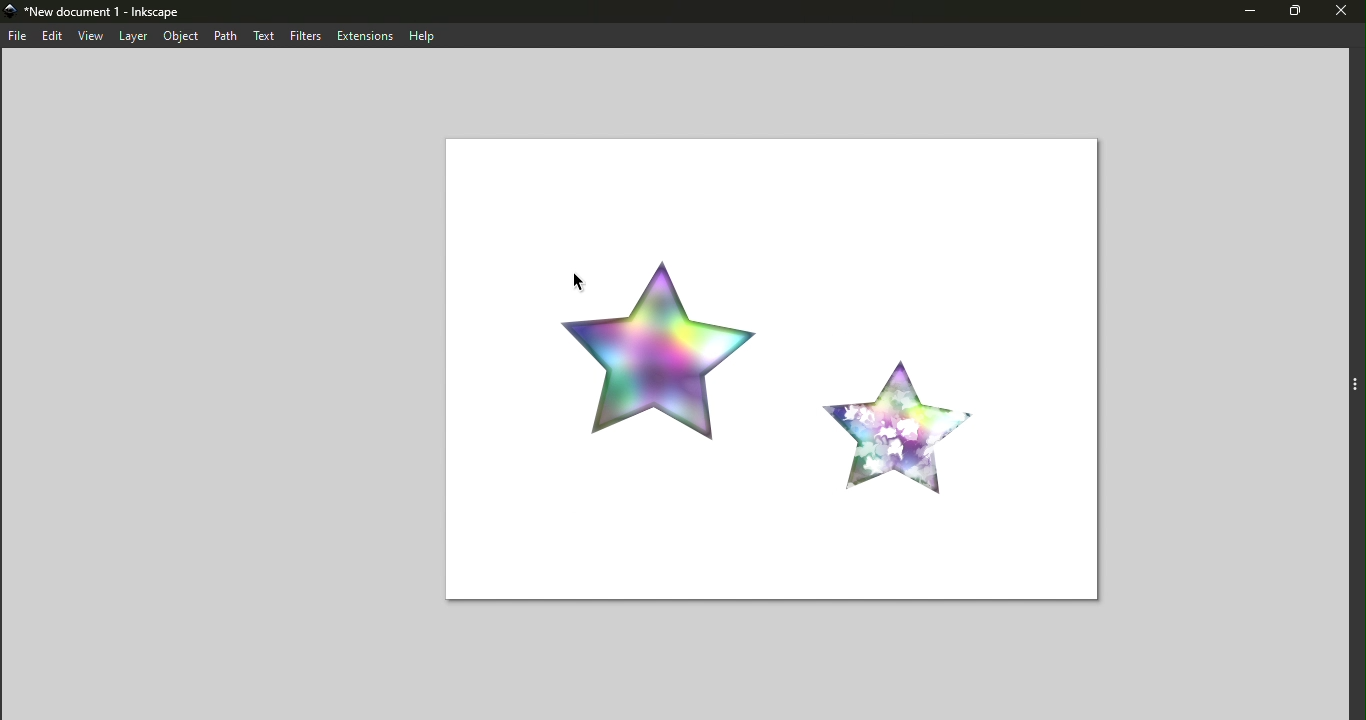 The image size is (1366, 720). What do you see at coordinates (265, 35) in the screenshot?
I see `text` at bounding box center [265, 35].